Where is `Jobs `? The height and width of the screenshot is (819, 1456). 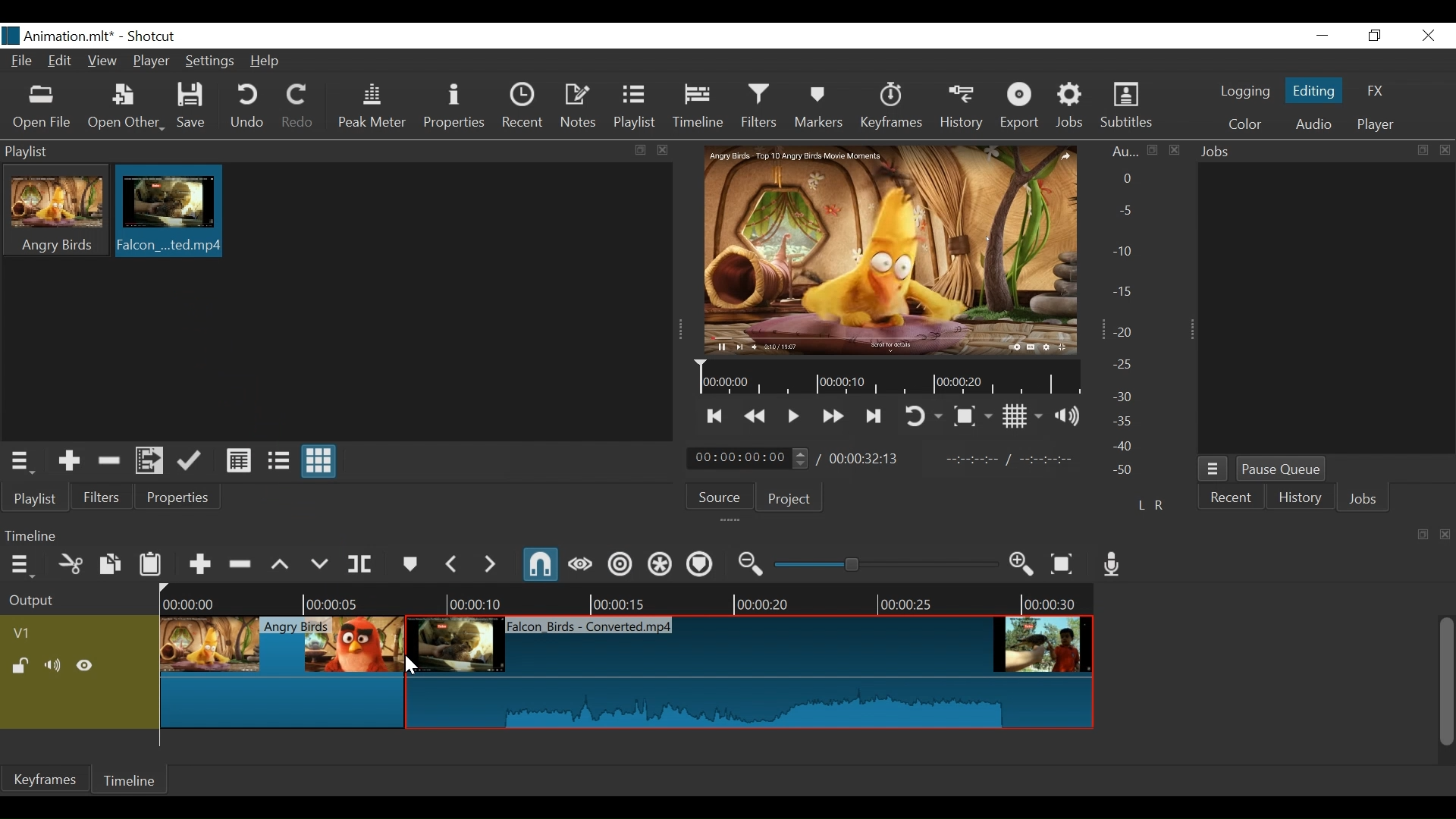 Jobs  is located at coordinates (1363, 497).